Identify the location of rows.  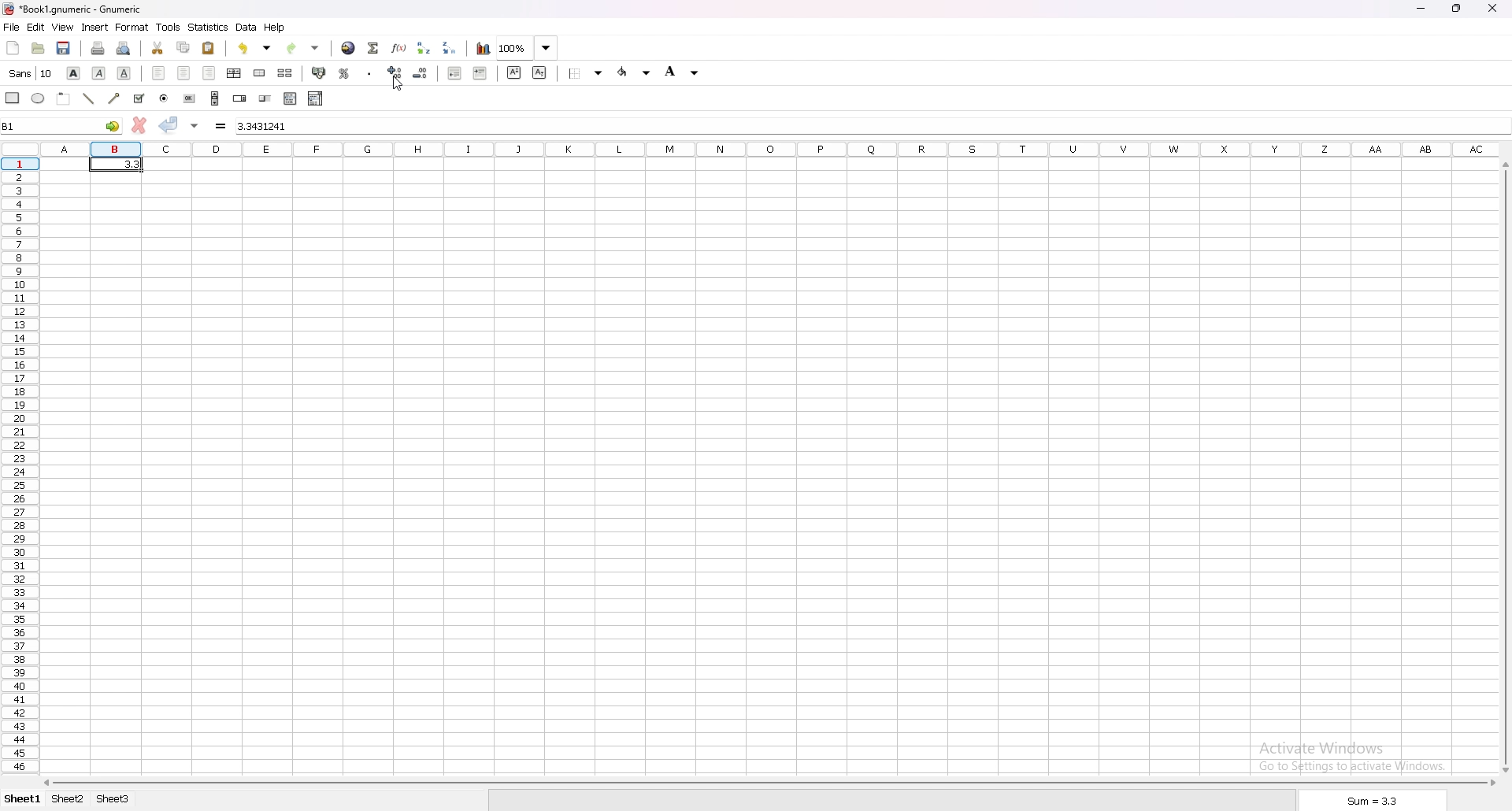
(19, 465).